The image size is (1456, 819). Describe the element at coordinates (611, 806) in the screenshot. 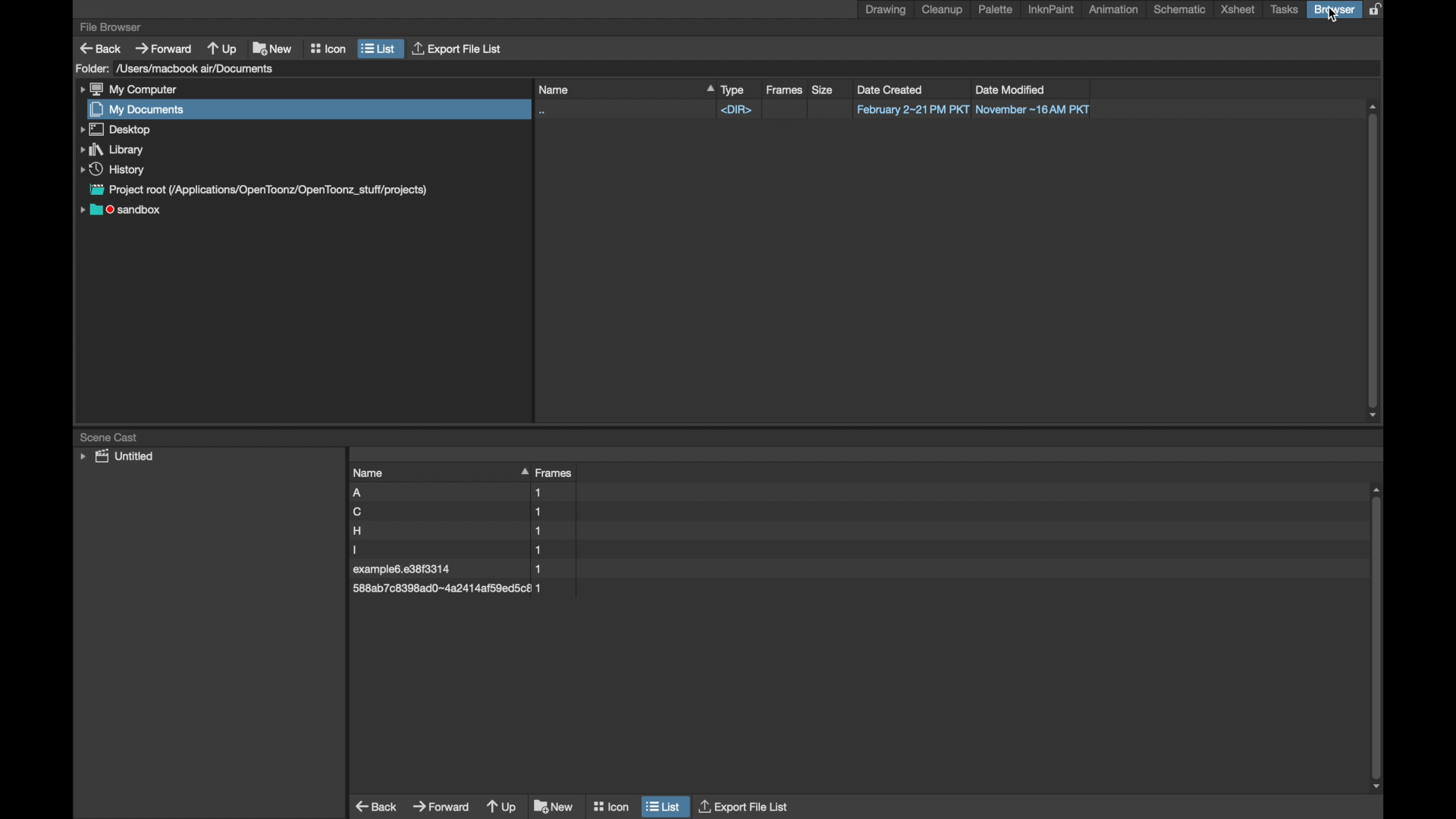

I see `icon` at that location.